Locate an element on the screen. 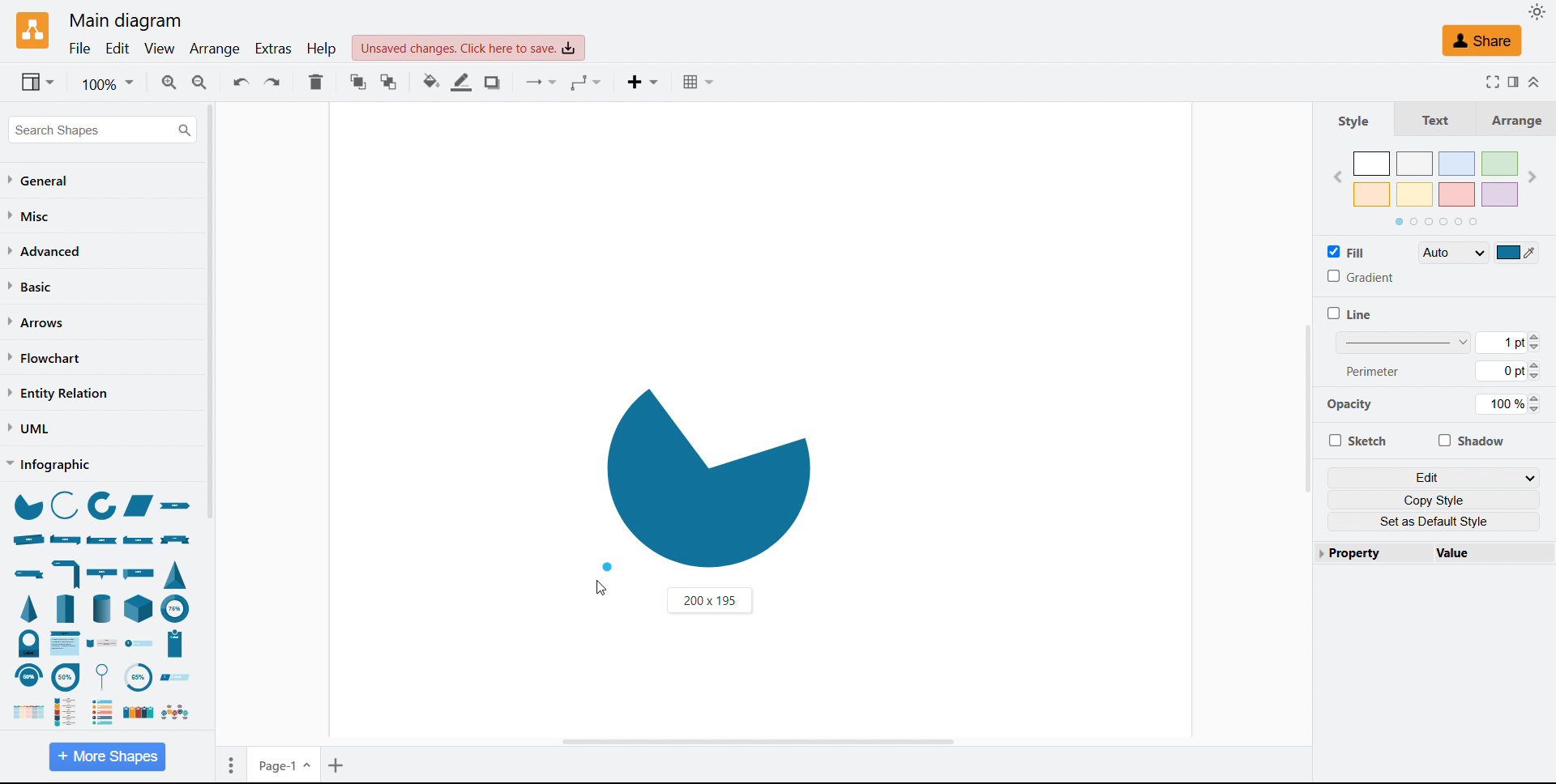 The image size is (1556, 784). Connectors  is located at coordinates (544, 83).